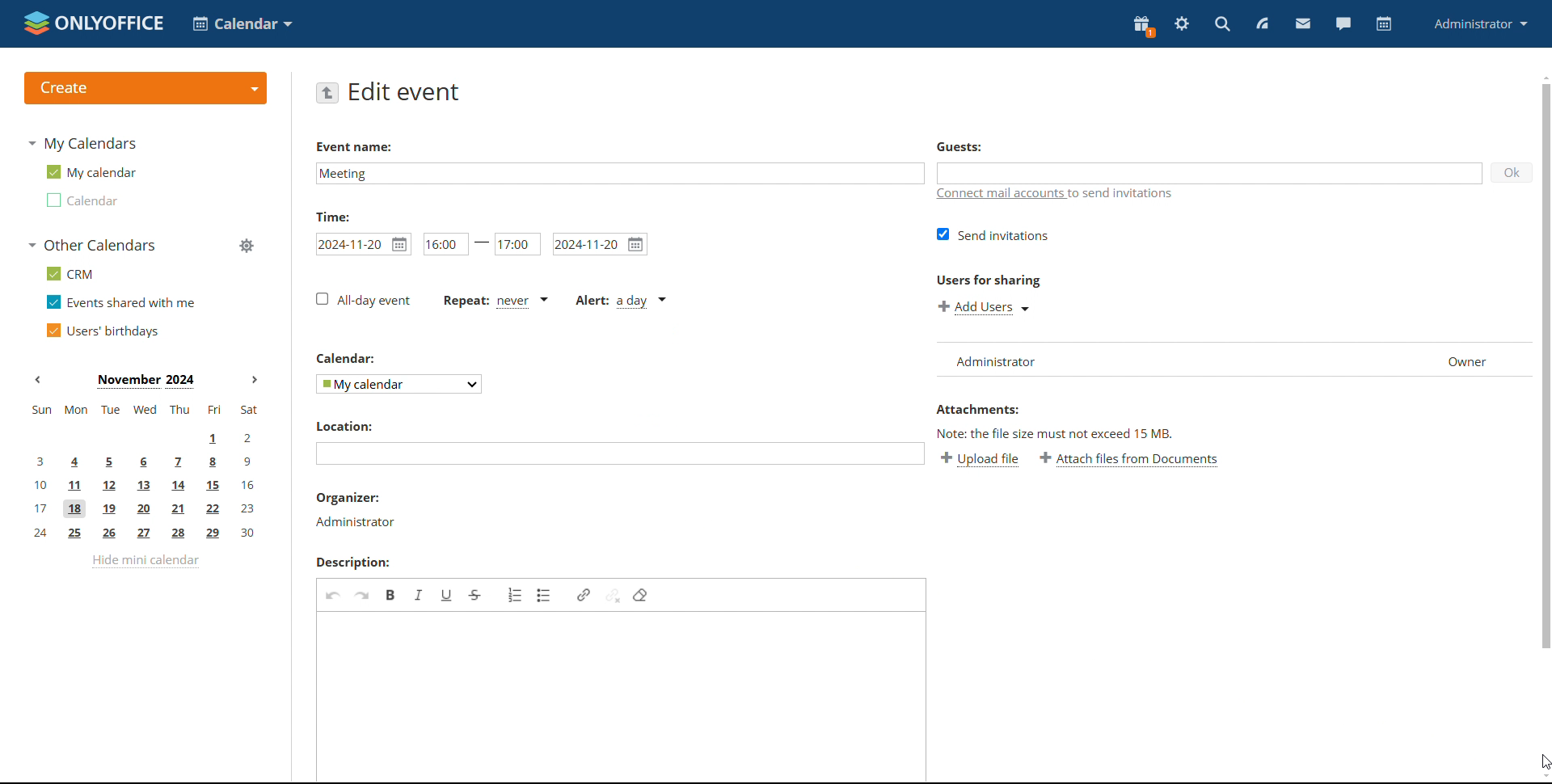 The image size is (1552, 784). What do you see at coordinates (495, 302) in the screenshot?
I see `event repetition` at bounding box center [495, 302].